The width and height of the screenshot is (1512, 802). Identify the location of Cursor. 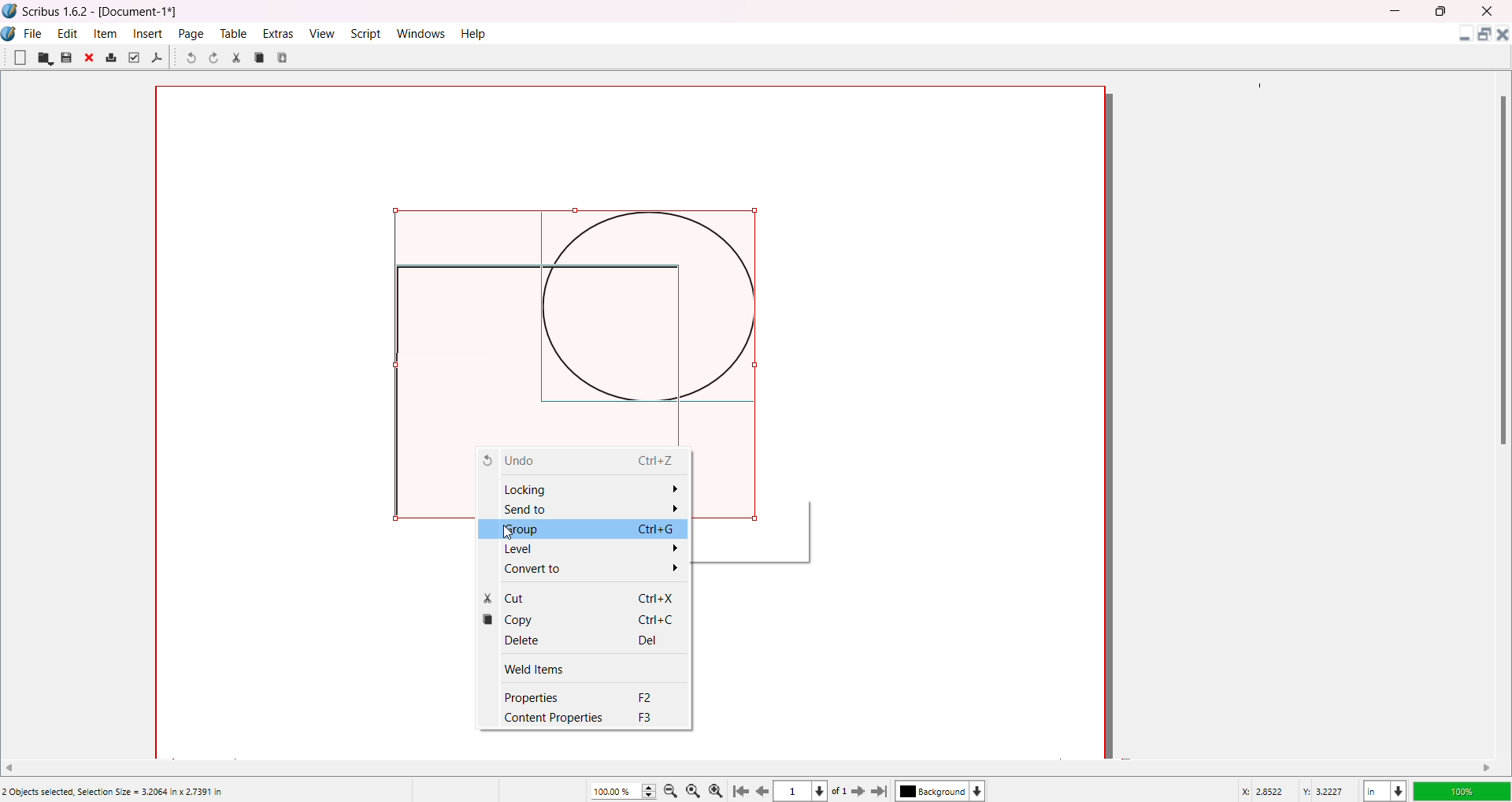
(515, 537).